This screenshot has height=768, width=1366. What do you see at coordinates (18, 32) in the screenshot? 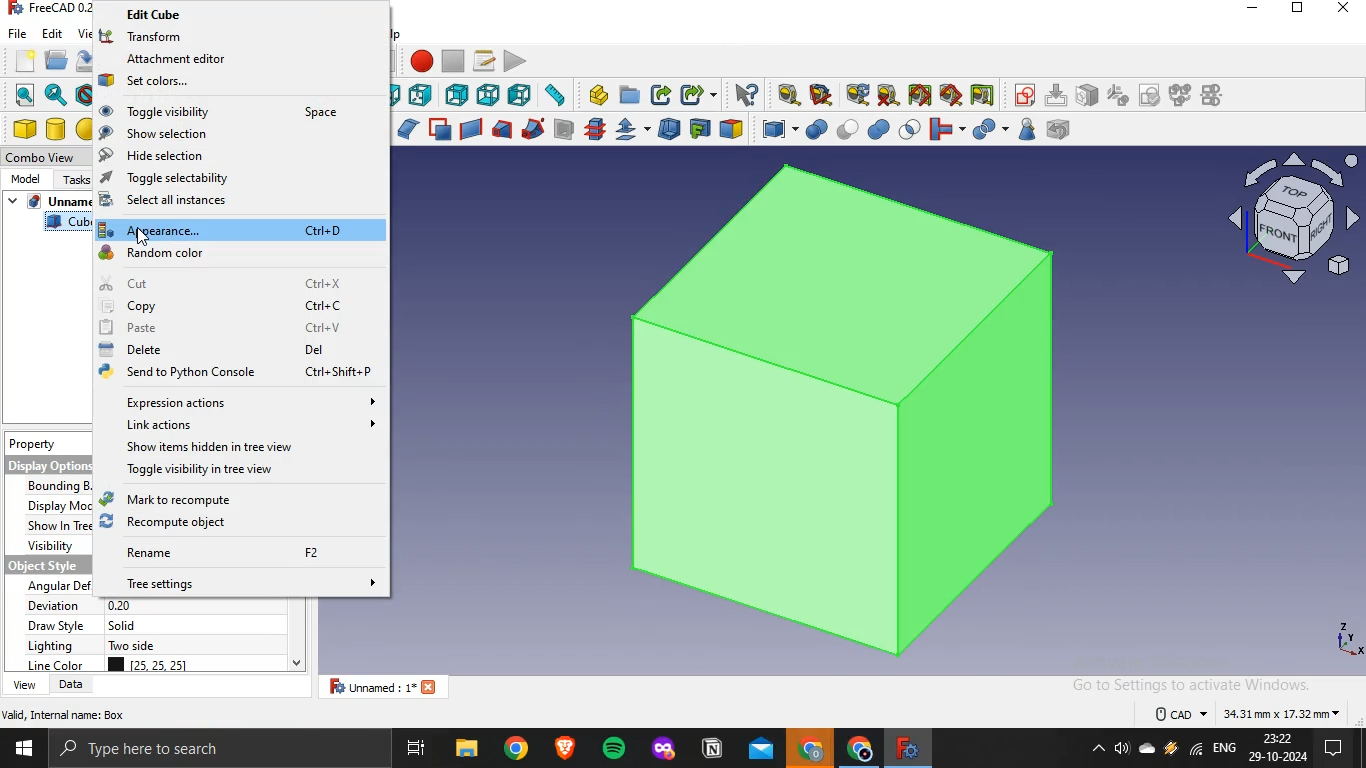
I see `file` at bounding box center [18, 32].